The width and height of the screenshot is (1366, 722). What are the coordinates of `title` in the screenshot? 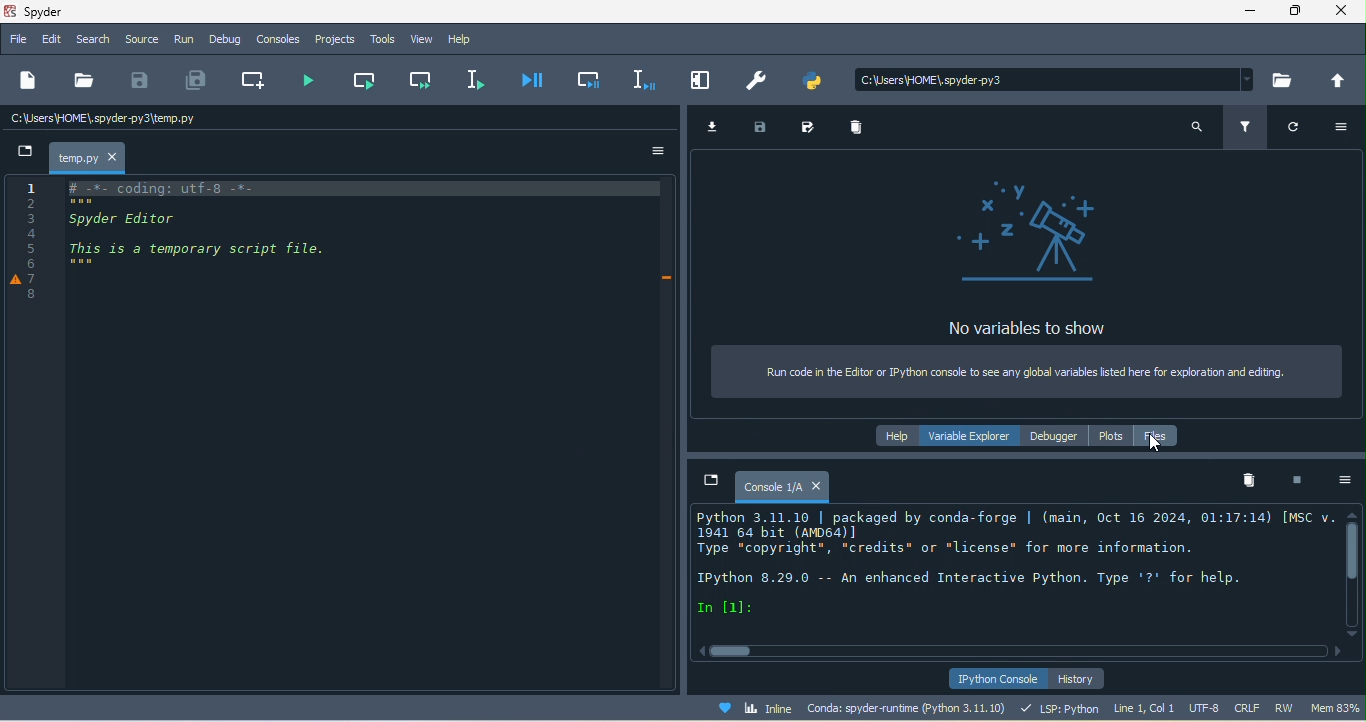 It's located at (55, 12).